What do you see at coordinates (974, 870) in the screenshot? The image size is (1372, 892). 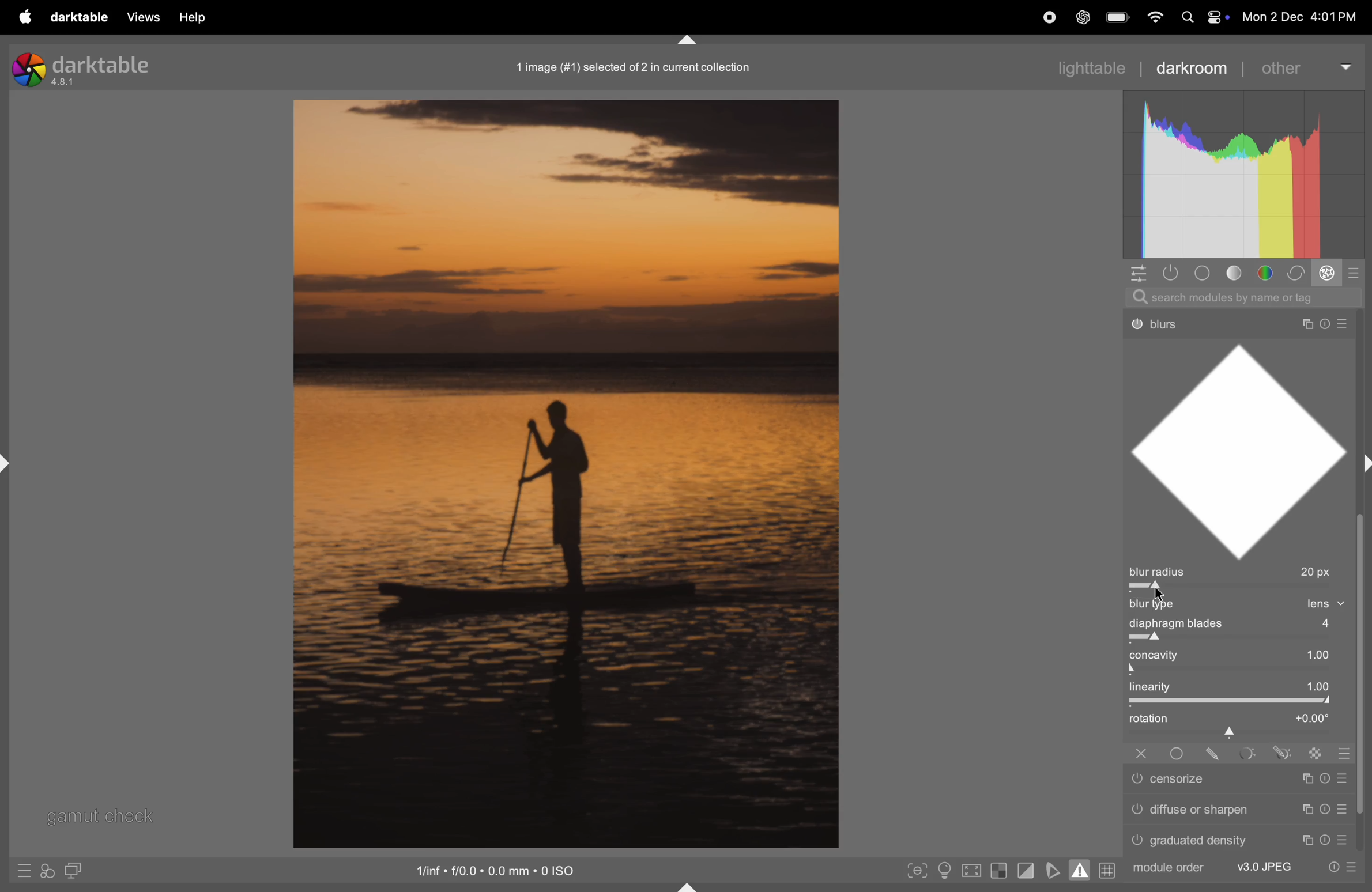 I see `toggle high quality processing` at bounding box center [974, 870].